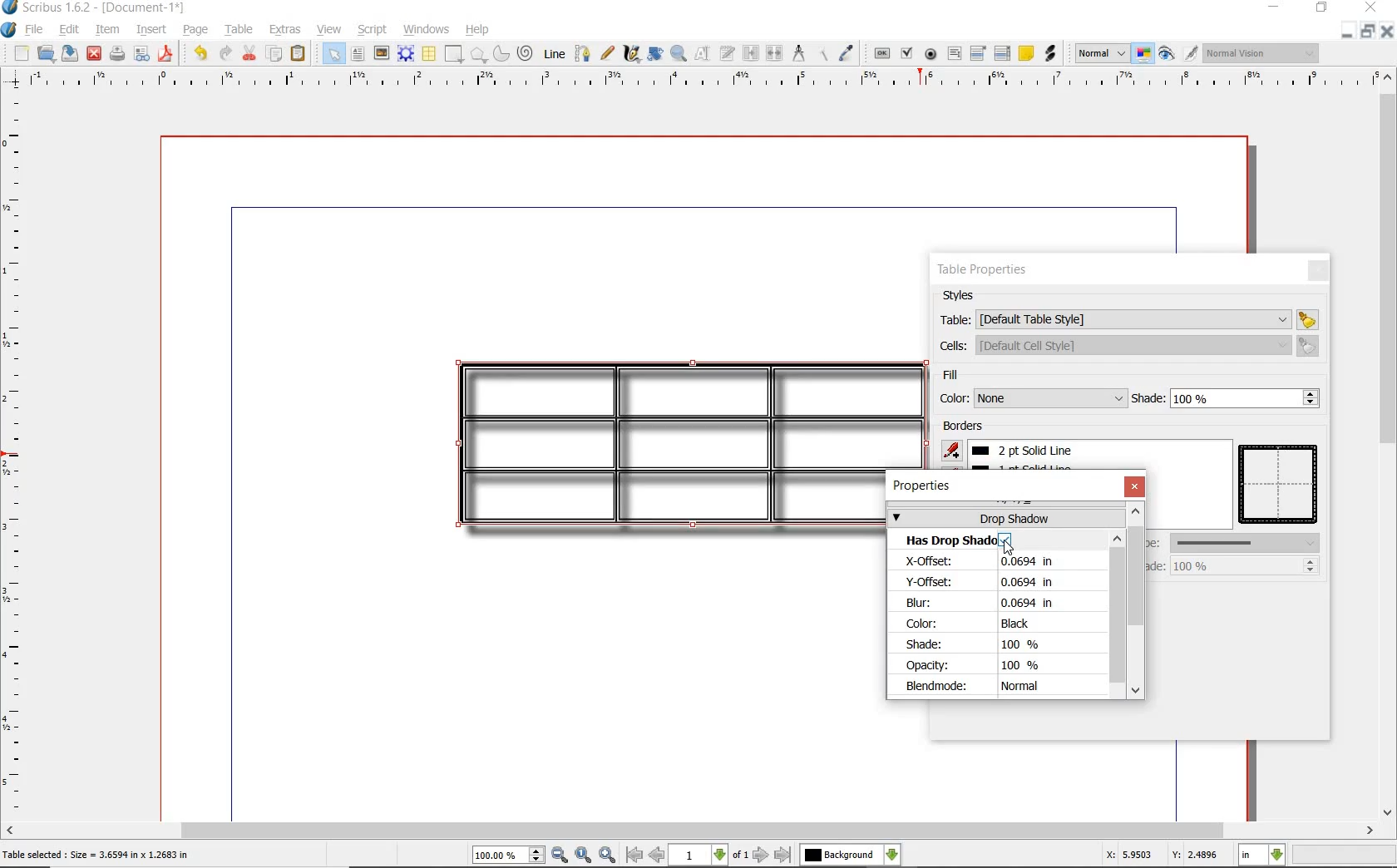 This screenshot has height=868, width=1397. I want to click on file, so click(36, 31).